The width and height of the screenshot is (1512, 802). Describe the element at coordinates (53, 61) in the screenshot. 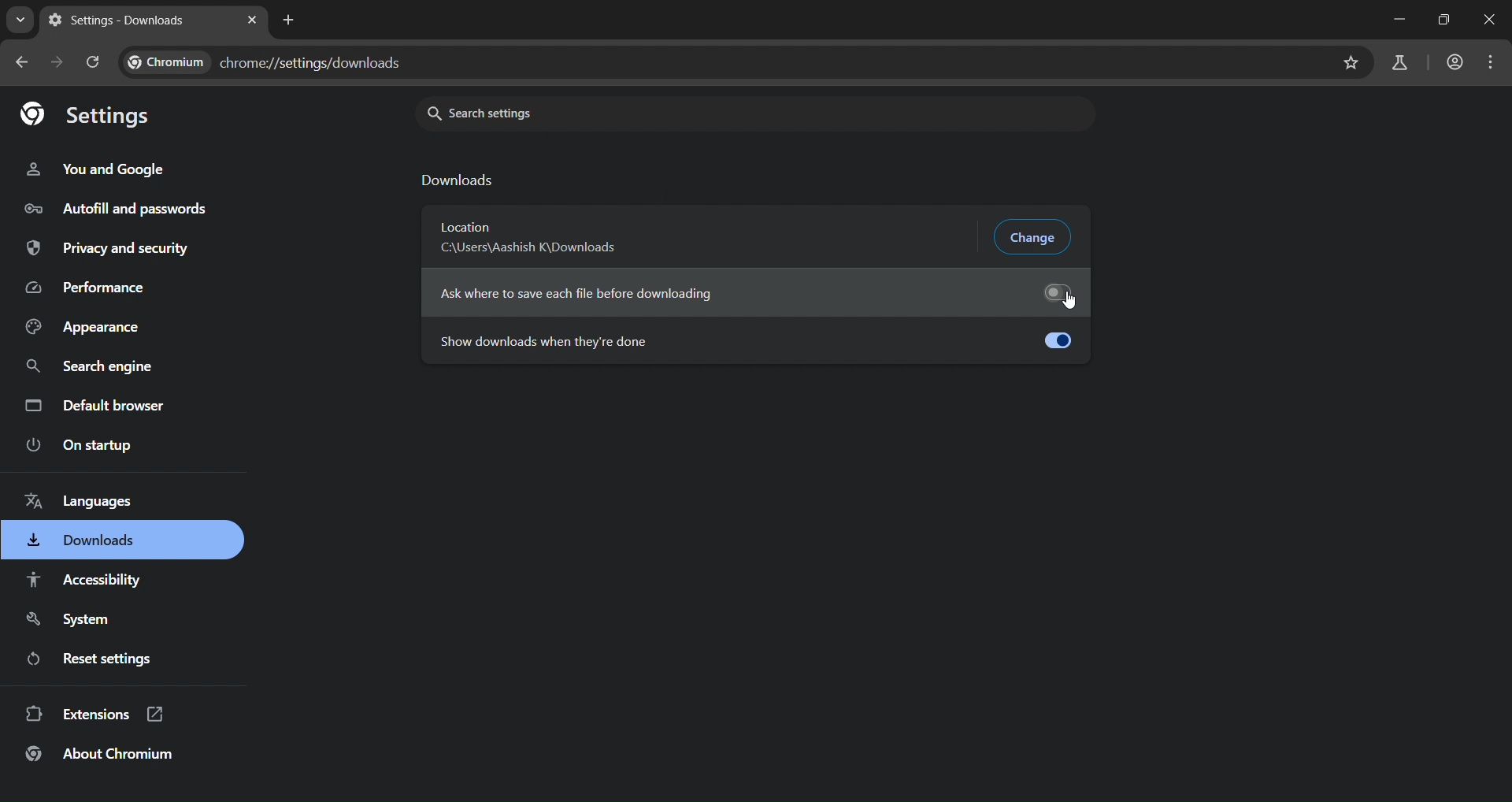

I see `go forward one page` at that location.